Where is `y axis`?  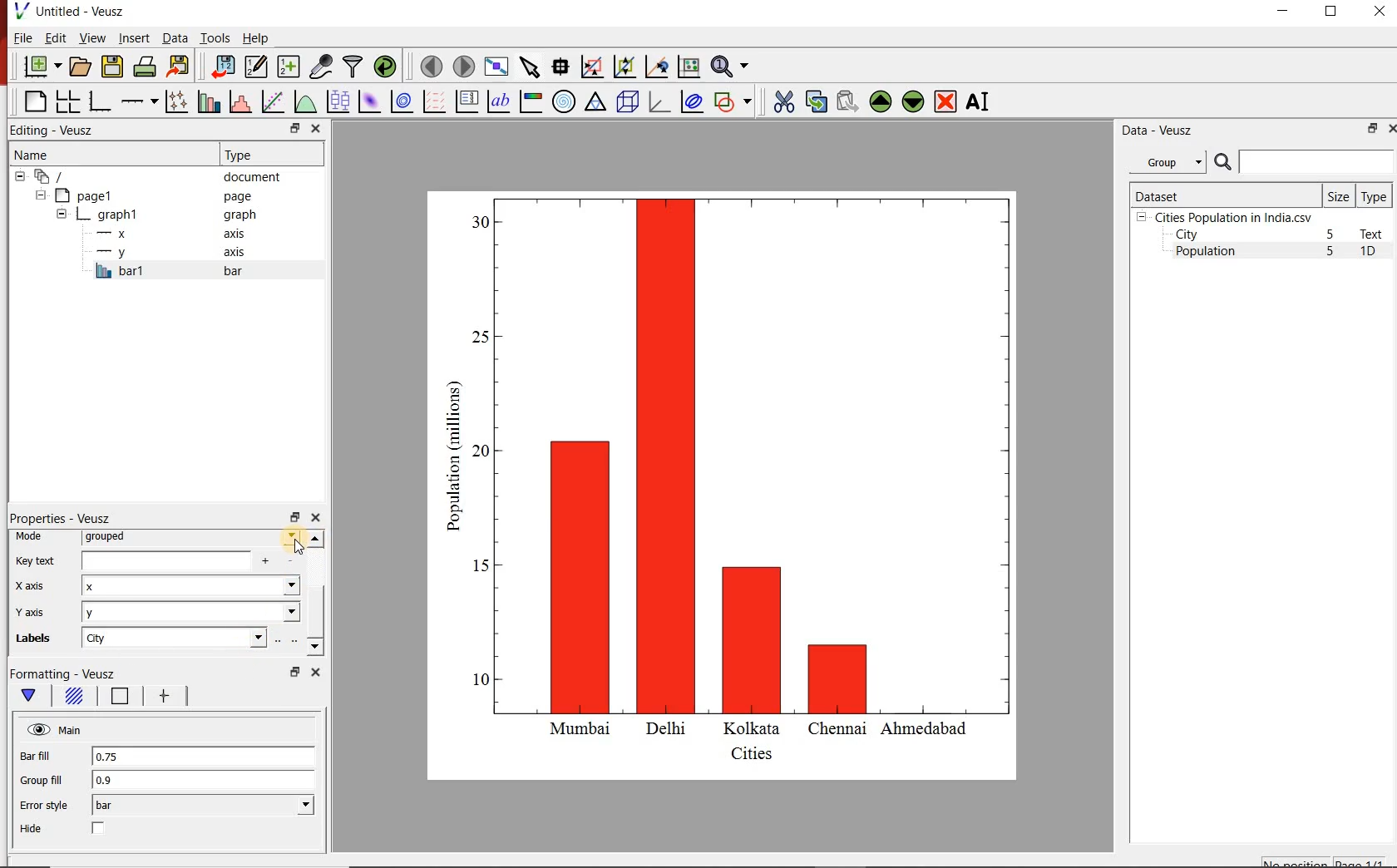 y axis is located at coordinates (41, 612).